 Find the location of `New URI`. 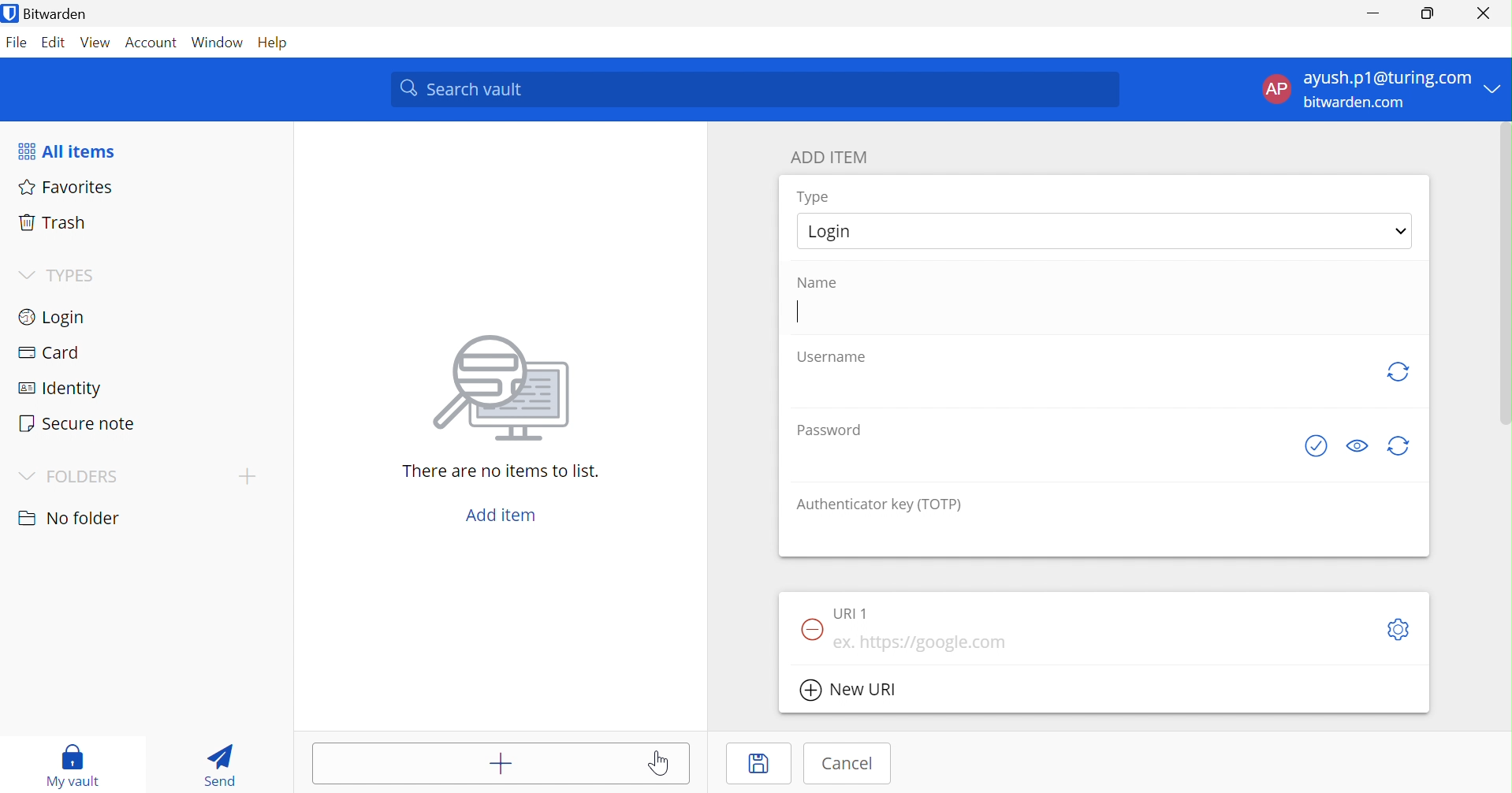

New URI is located at coordinates (849, 692).